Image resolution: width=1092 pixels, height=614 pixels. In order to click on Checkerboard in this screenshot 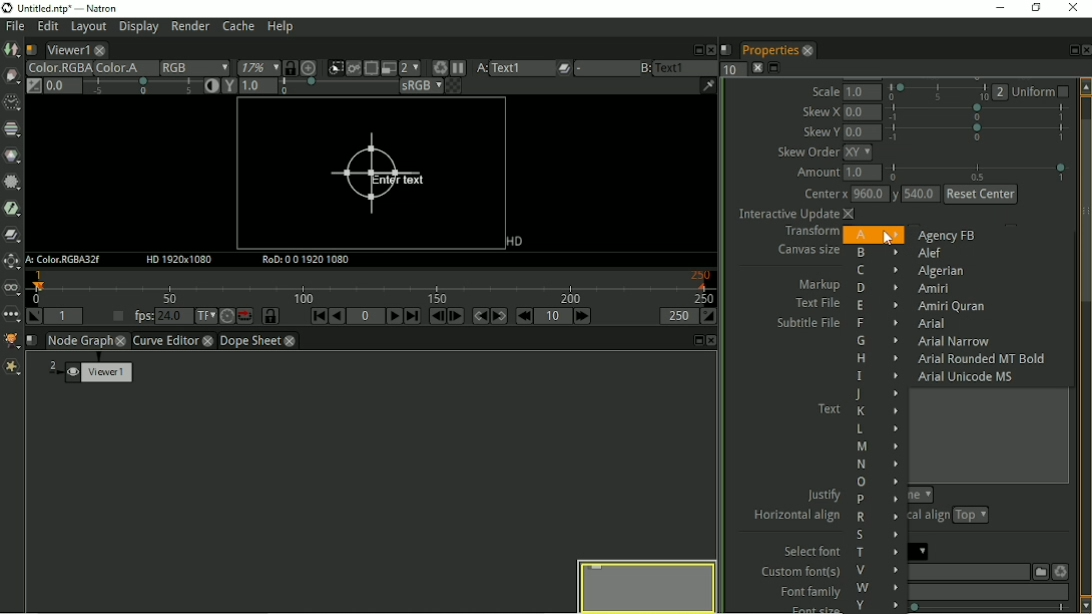, I will do `click(455, 87)`.